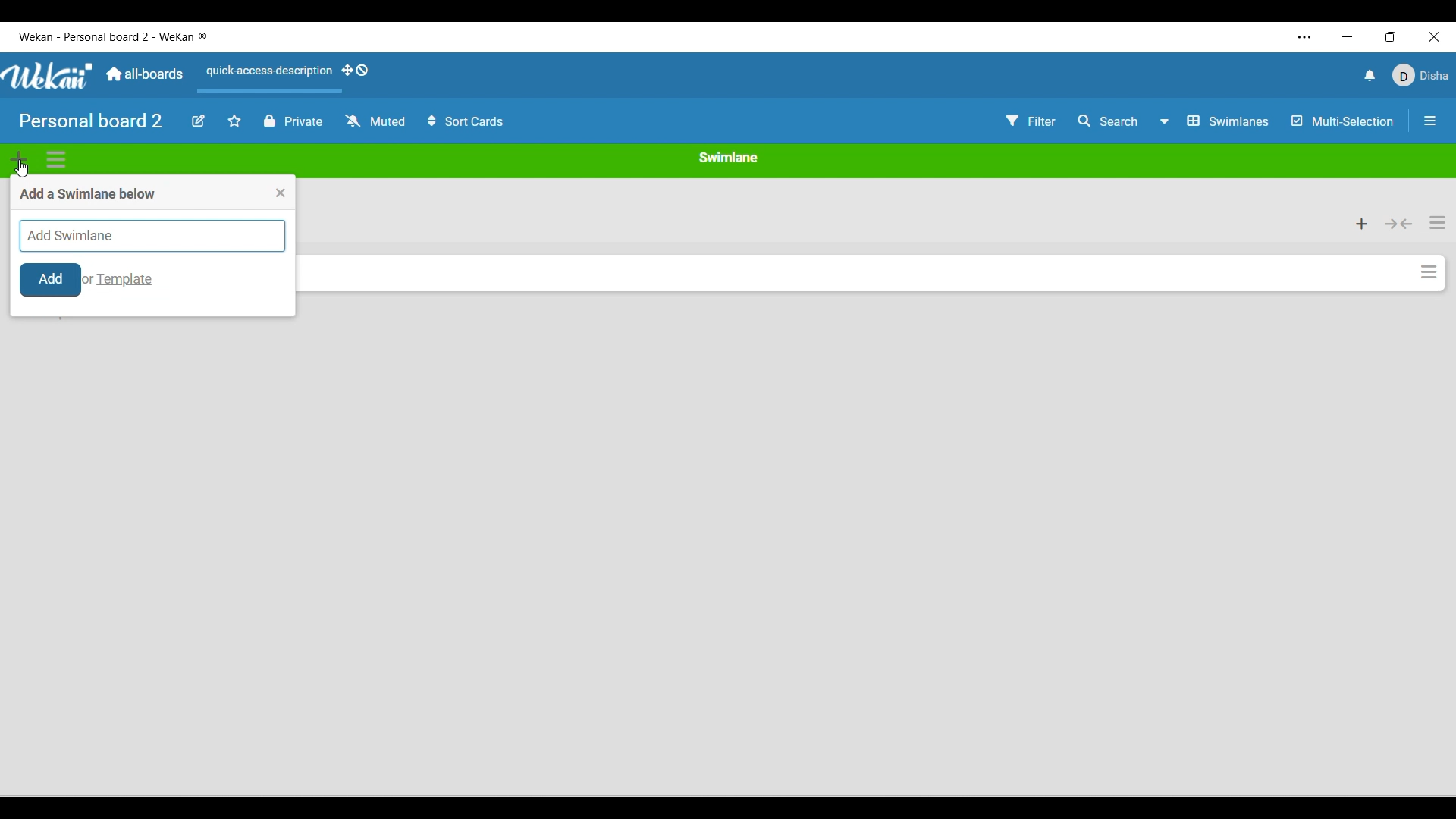 The height and width of the screenshot is (819, 1456). Describe the element at coordinates (266, 77) in the screenshot. I see `Quick access description` at that location.